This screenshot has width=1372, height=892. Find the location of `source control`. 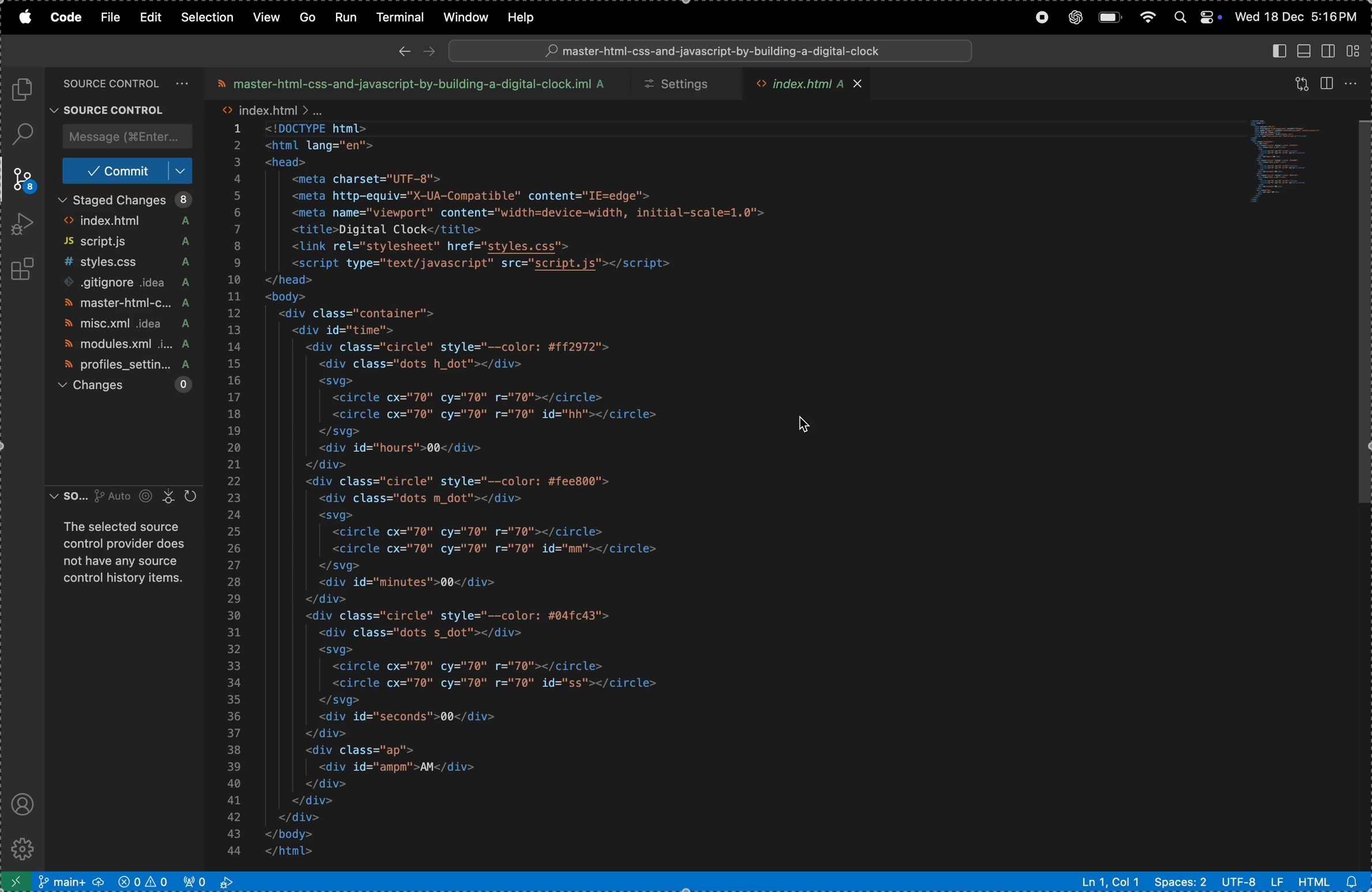

source control is located at coordinates (121, 82).